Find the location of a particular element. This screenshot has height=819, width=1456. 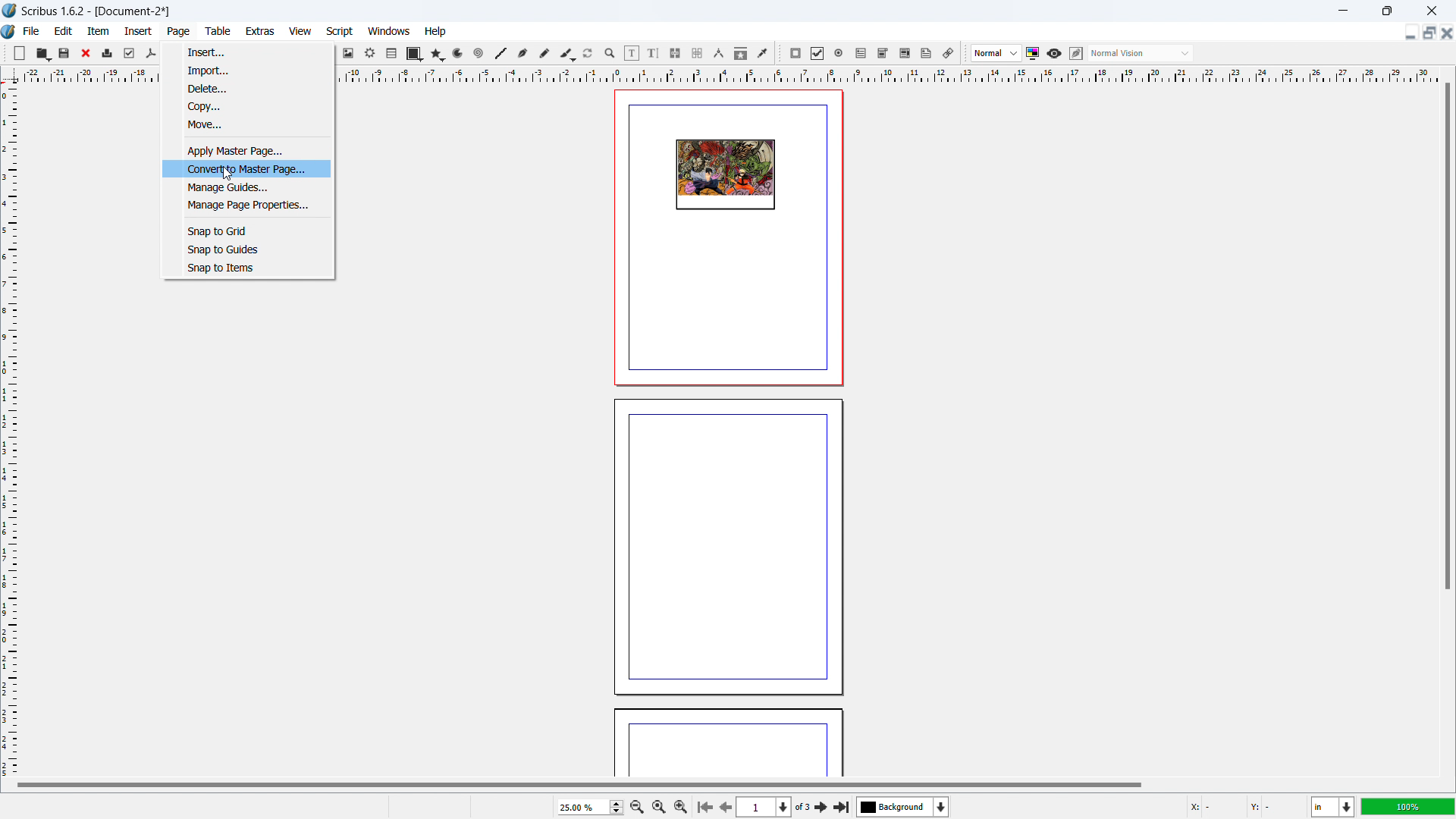

pdf list box is located at coordinates (905, 54).